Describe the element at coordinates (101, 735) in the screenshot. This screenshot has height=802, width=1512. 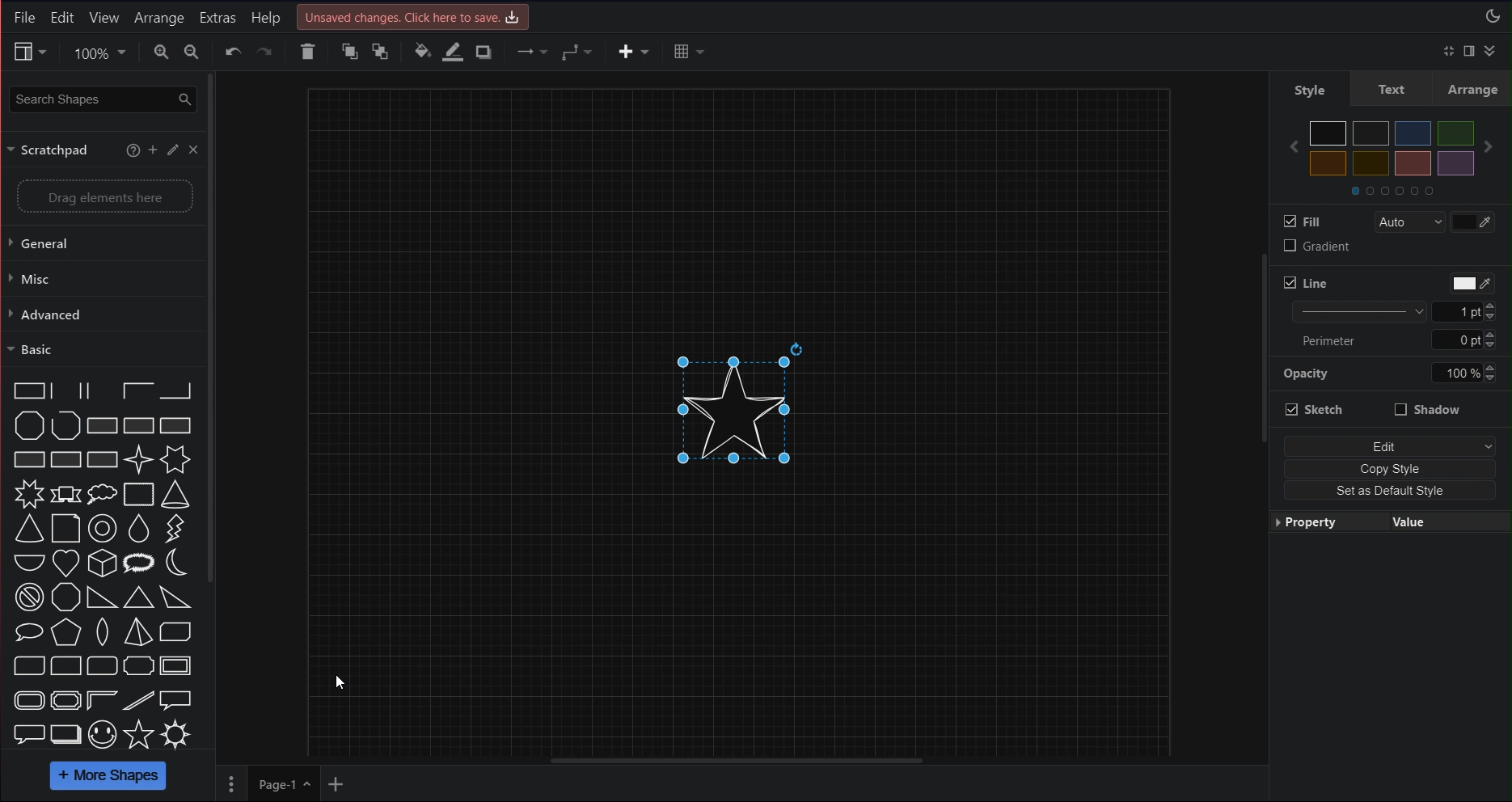
I see `smiley` at that location.